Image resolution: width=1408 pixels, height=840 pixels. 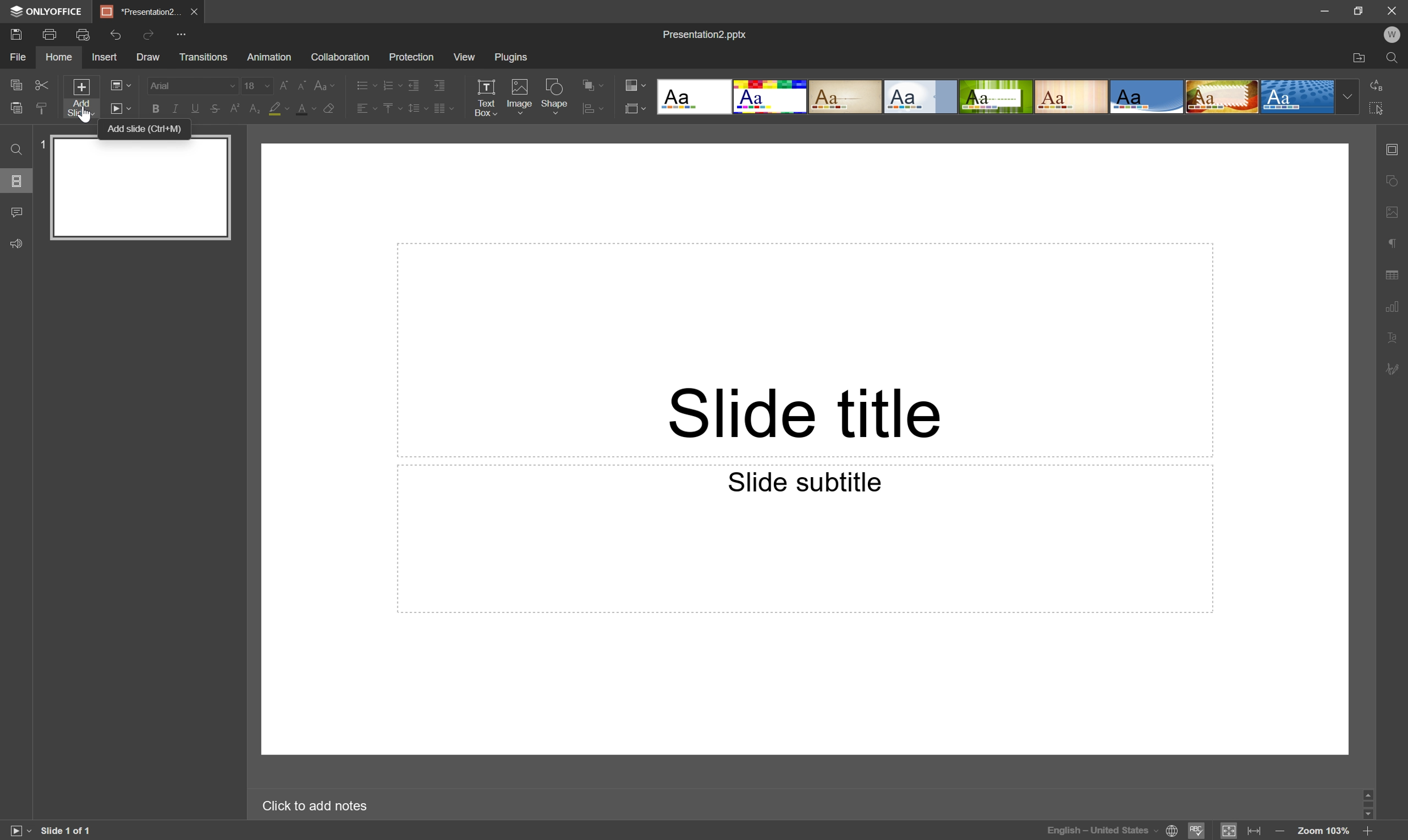 I want to click on Numbering, so click(x=391, y=83).